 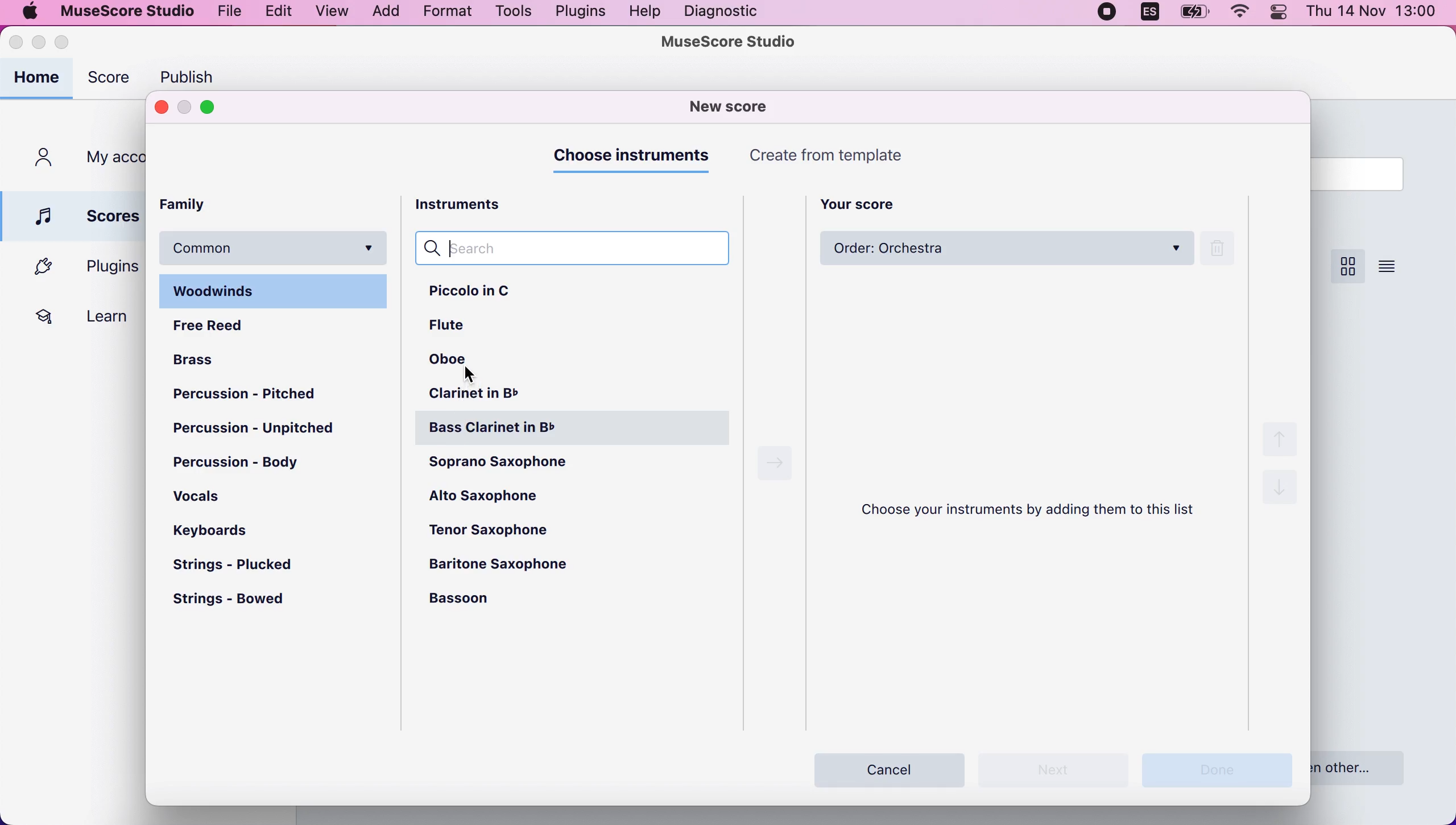 What do you see at coordinates (471, 373) in the screenshot?
I see `cursor on oboe` at bounding box center [471, 373].